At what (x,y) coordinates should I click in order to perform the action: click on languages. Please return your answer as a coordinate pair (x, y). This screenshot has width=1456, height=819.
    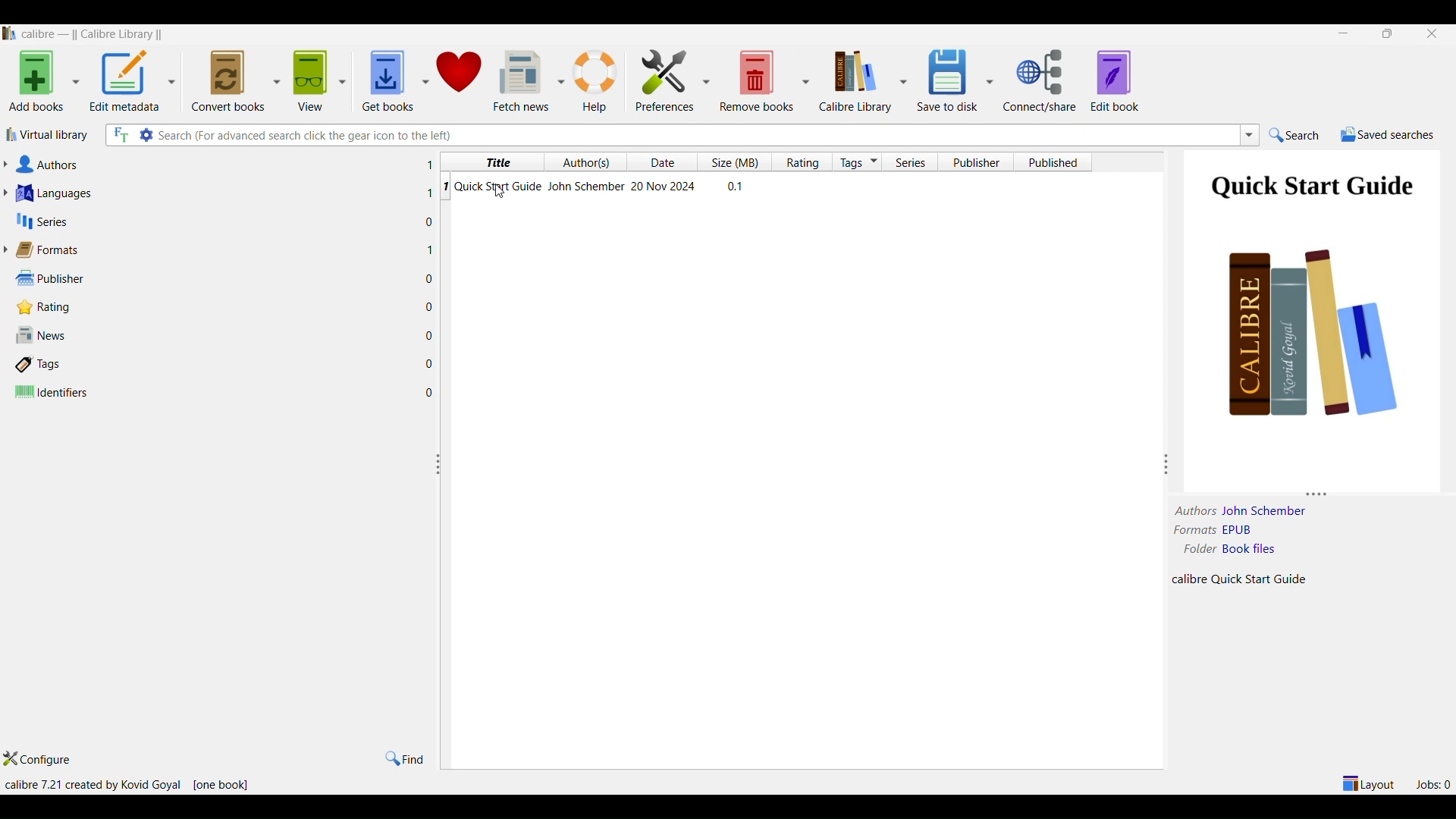
    Looking at the image, I should click on (218, 190).